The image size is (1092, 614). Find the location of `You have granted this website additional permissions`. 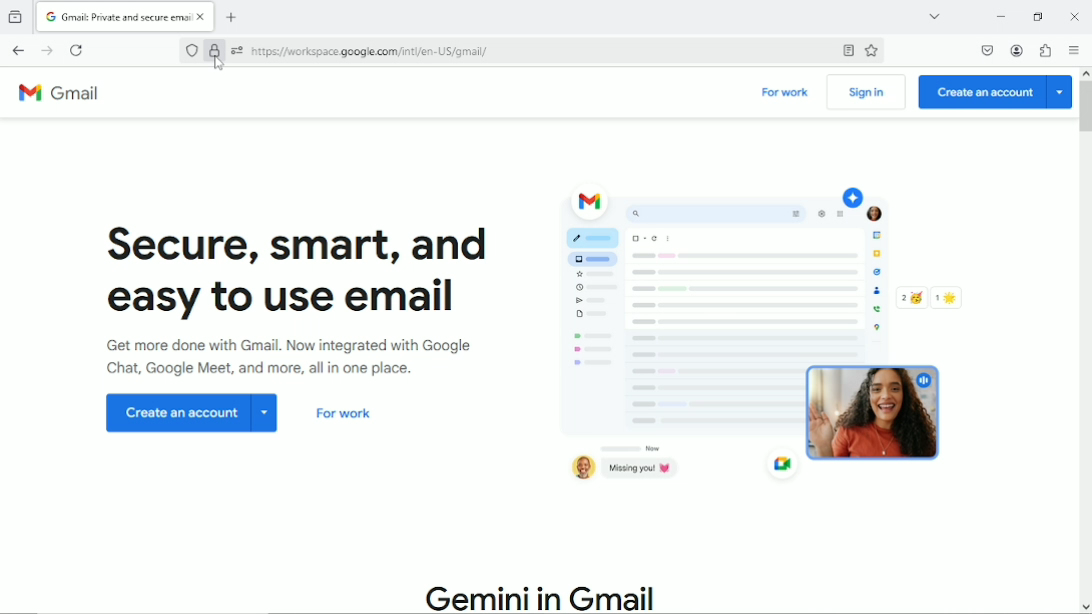

You have granted this website additional permissions is located at coordinates (235, 51).